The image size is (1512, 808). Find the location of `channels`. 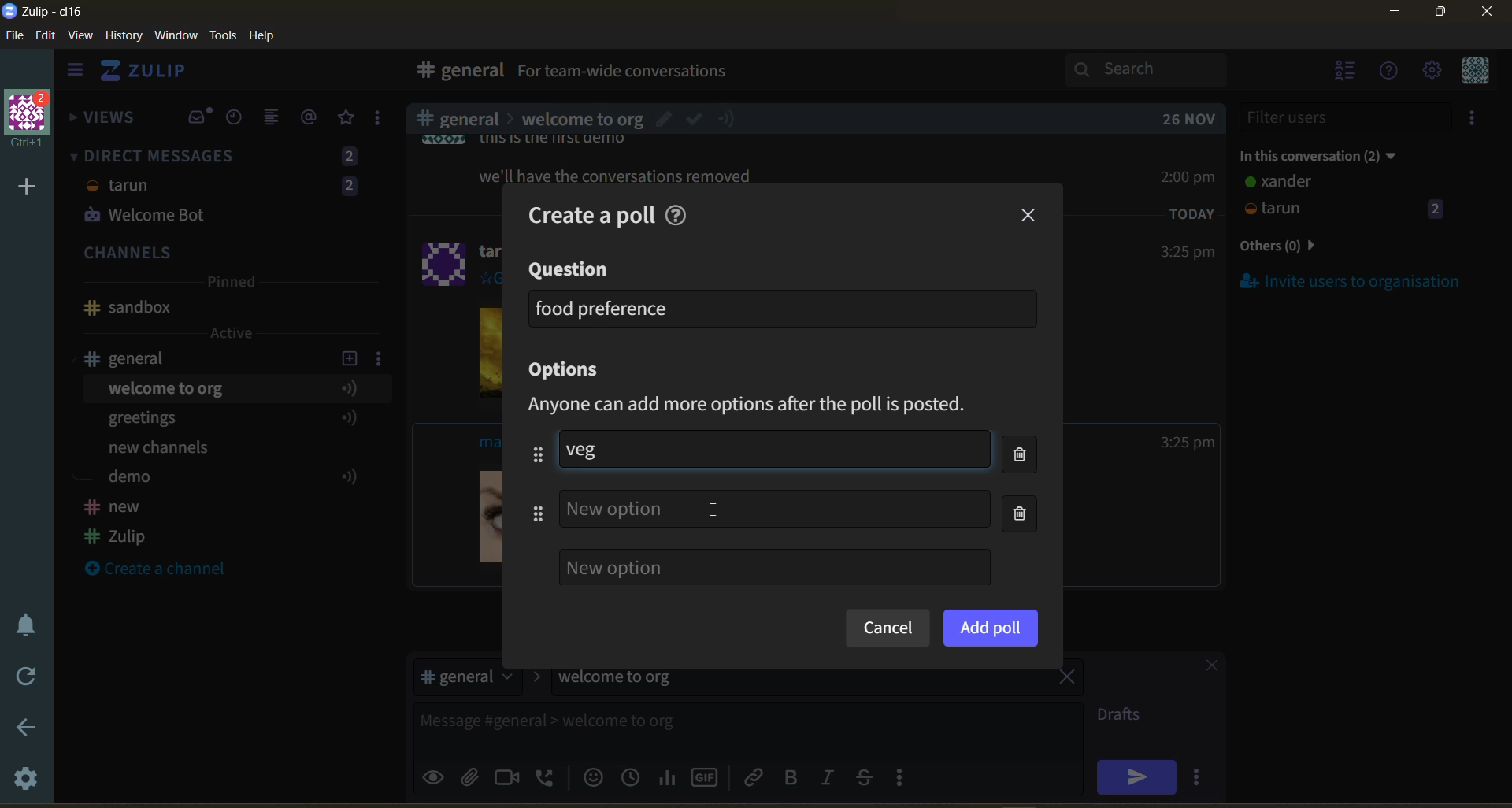

channels is located at coordinates (228, 254).